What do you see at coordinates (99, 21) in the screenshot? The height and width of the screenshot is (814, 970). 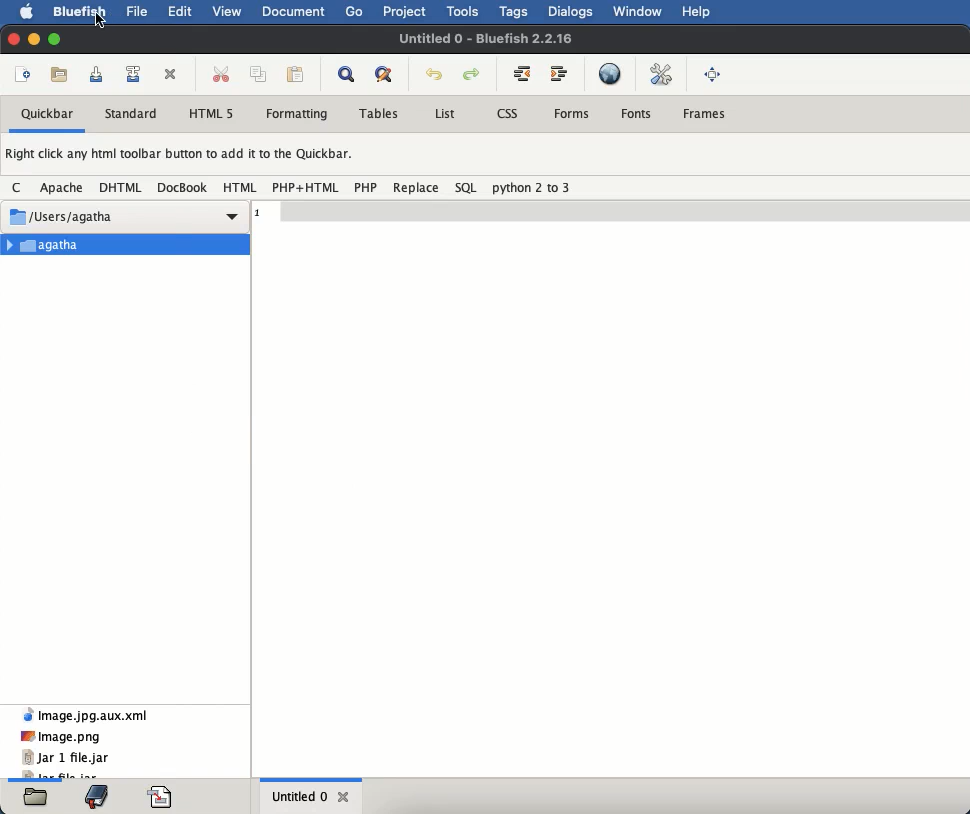 I see `Cursor` at bounding box center [99, 21].